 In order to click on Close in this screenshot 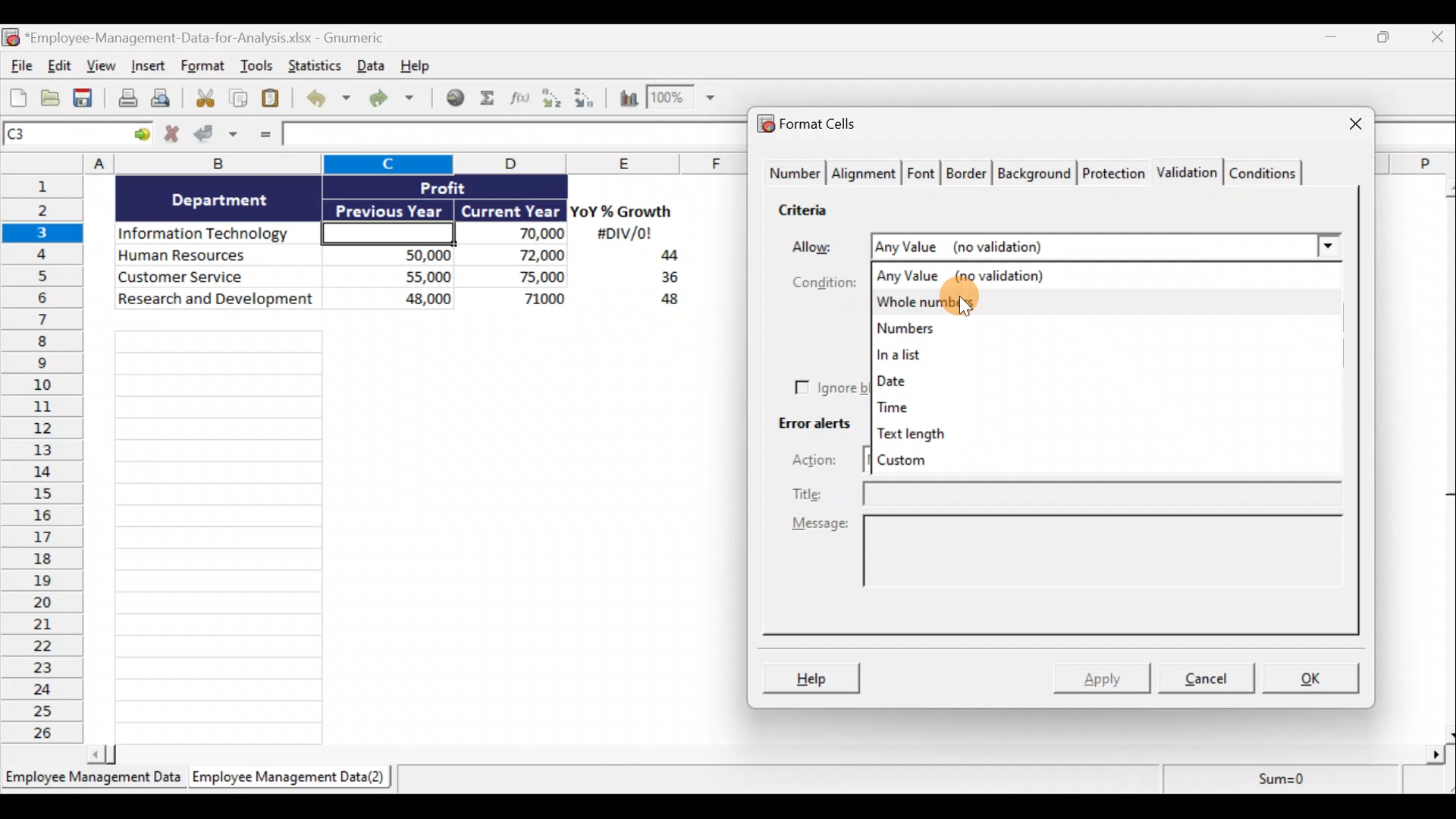, I will do `click(1341, 125)`.